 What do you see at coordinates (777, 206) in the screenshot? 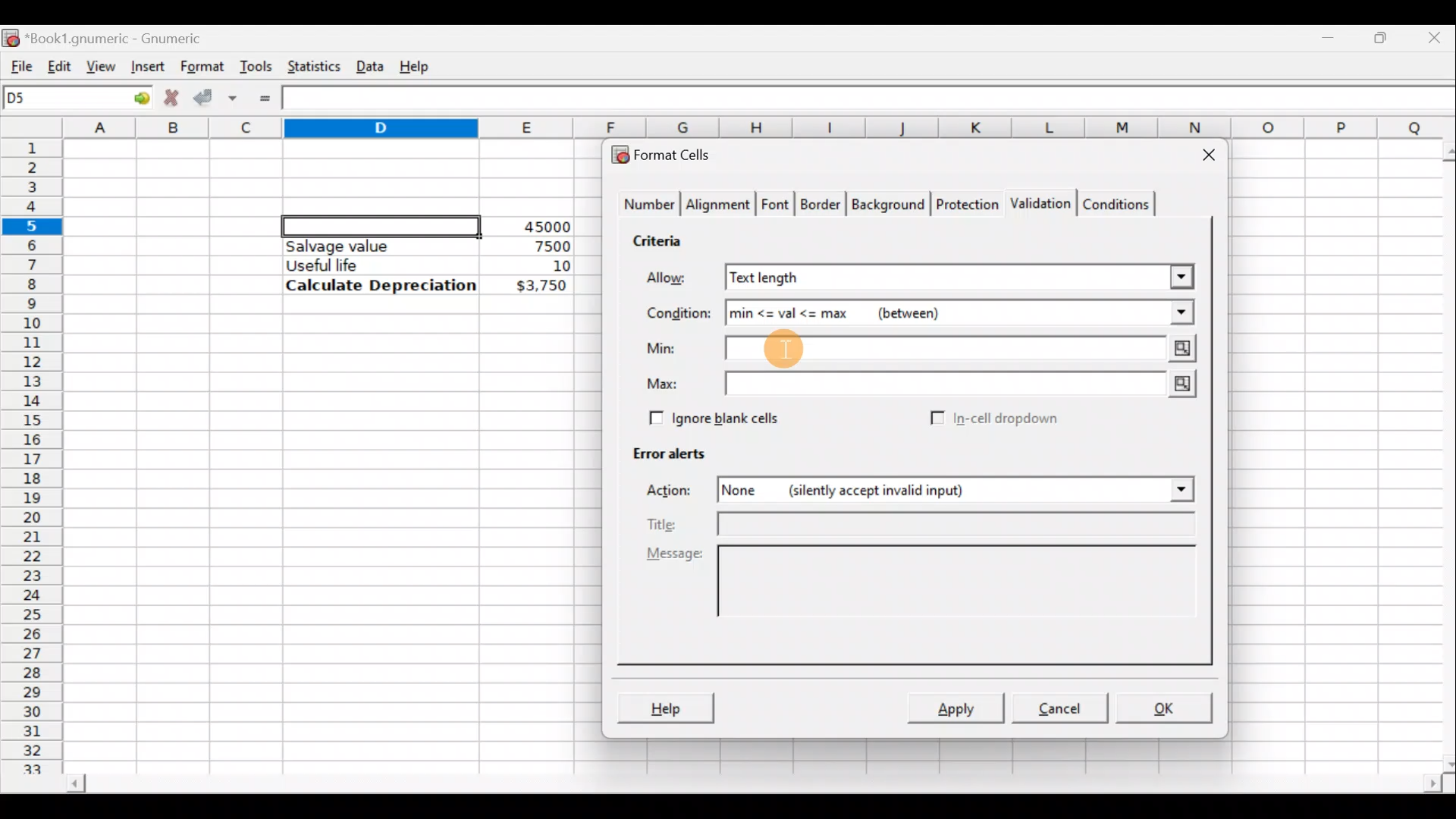
I see `Font` at bounding box center [777, 206].